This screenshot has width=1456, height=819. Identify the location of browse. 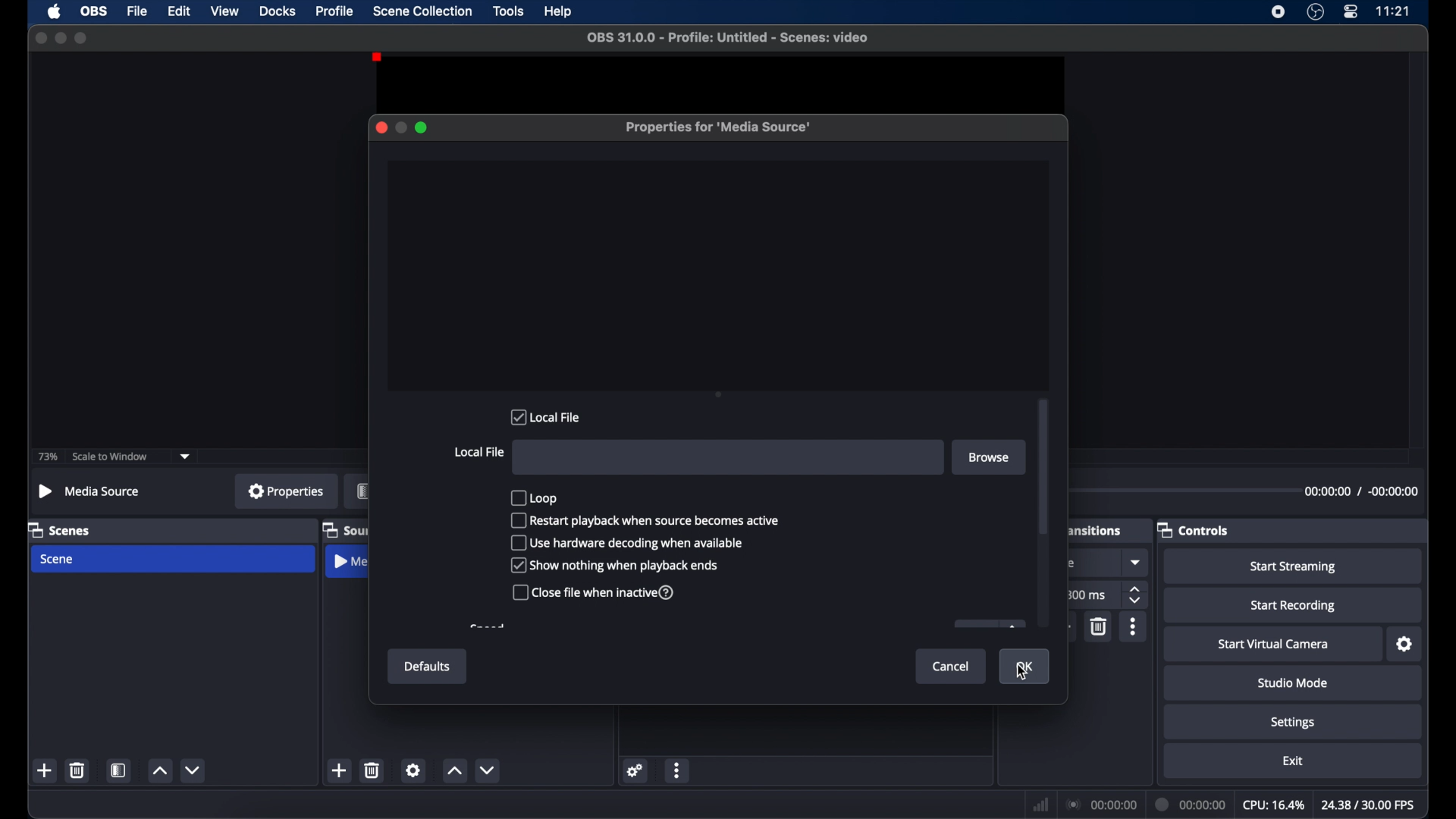
(989, 457).